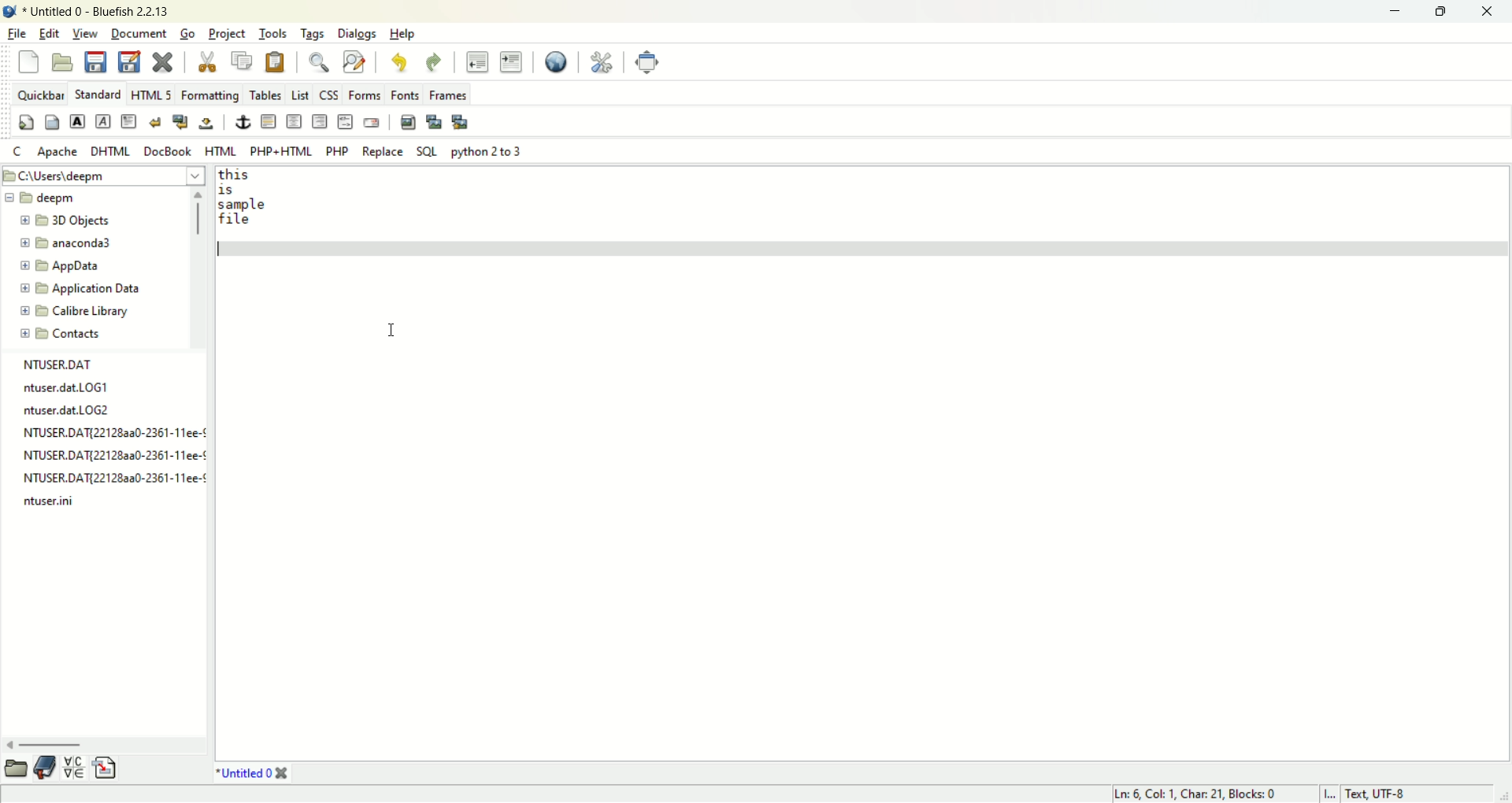 Image resolution: width=1512 pixels, height=803 pixels. Describe the element at coordinates (67, 386) in the screenshot. I see `ntuser.dat.LOG1` at that location.